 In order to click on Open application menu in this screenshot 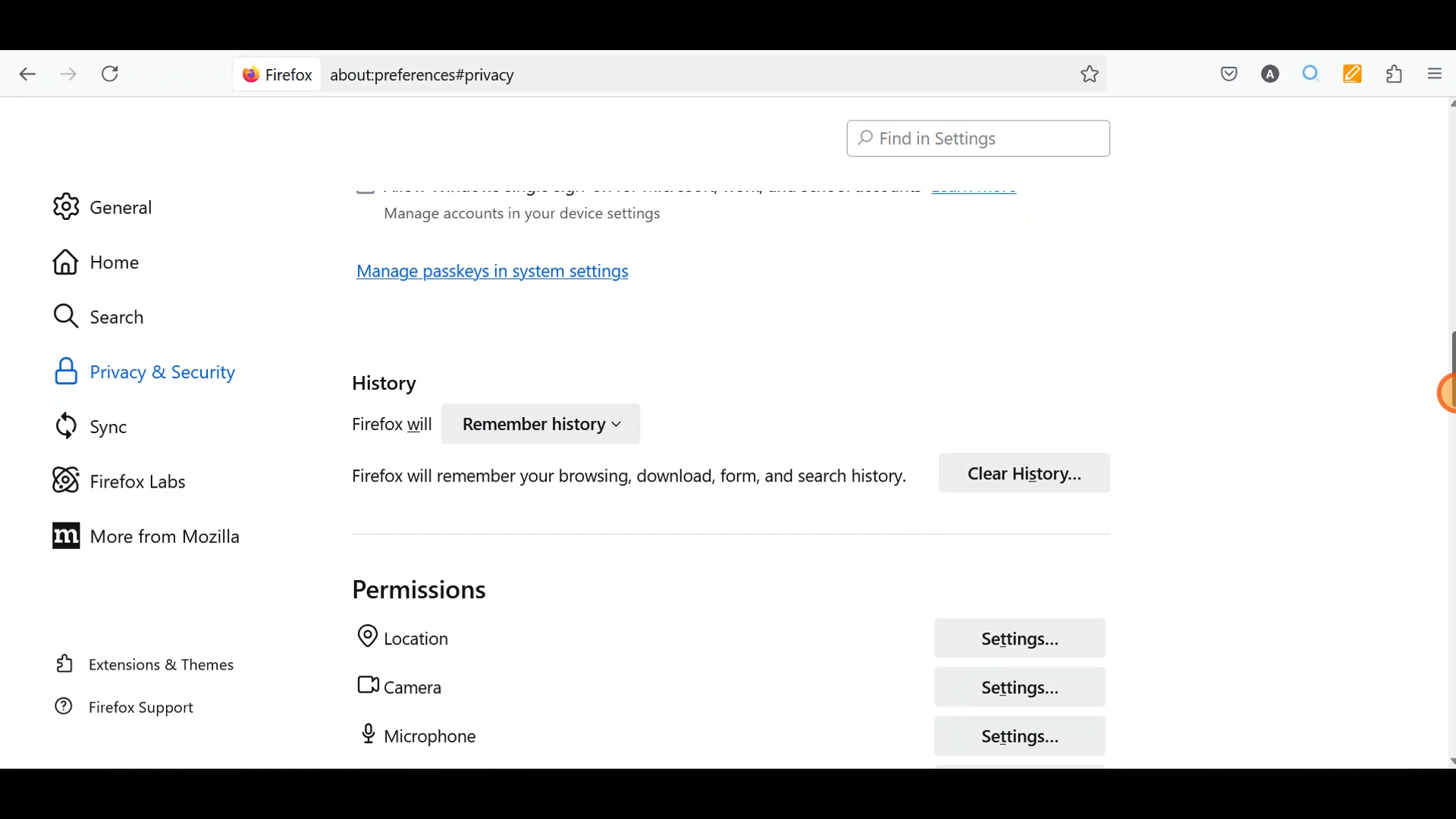, I will do `click(1433, 75)`.